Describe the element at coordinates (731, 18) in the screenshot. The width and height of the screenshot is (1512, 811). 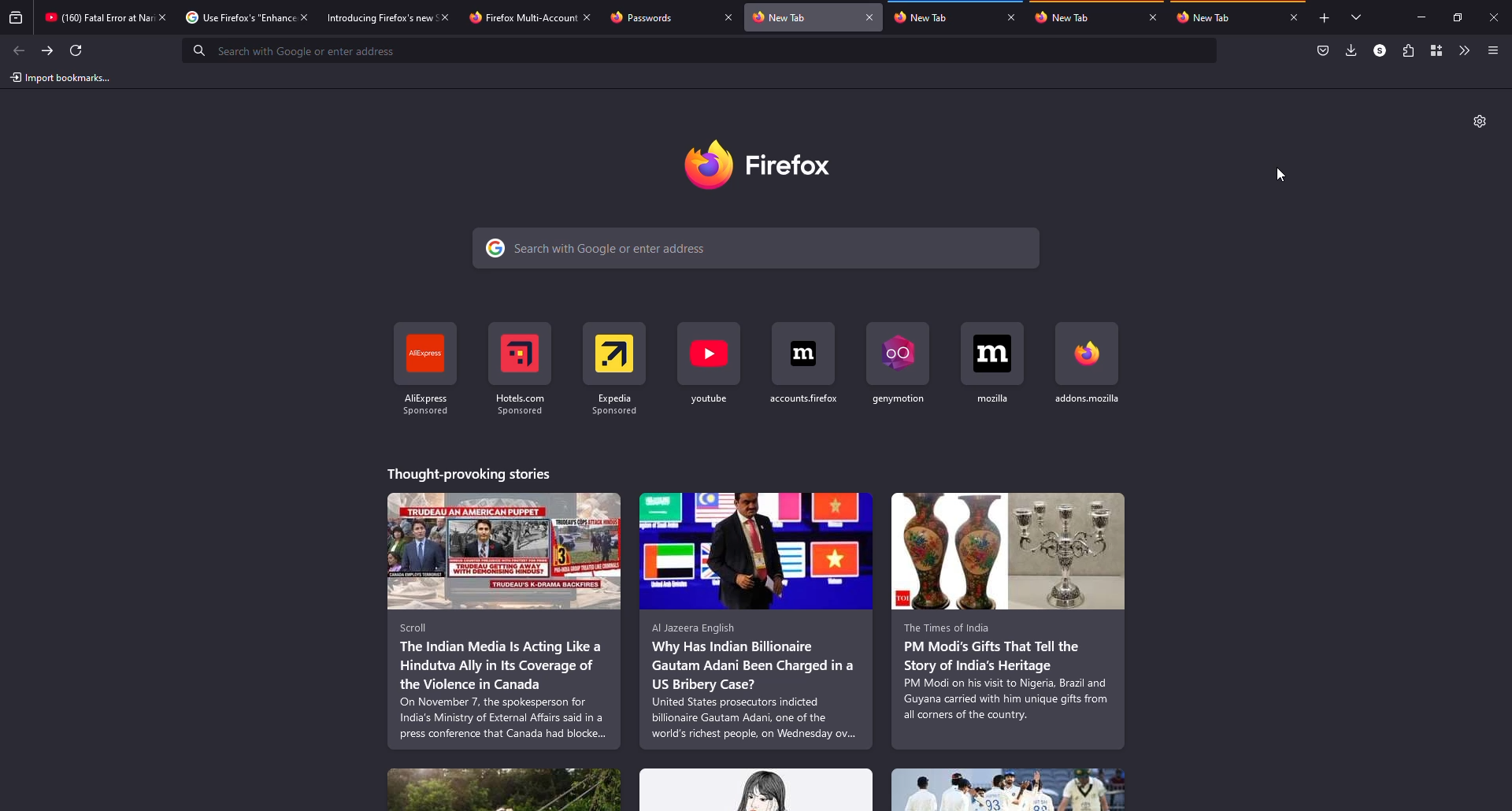
I see `close` at that location.